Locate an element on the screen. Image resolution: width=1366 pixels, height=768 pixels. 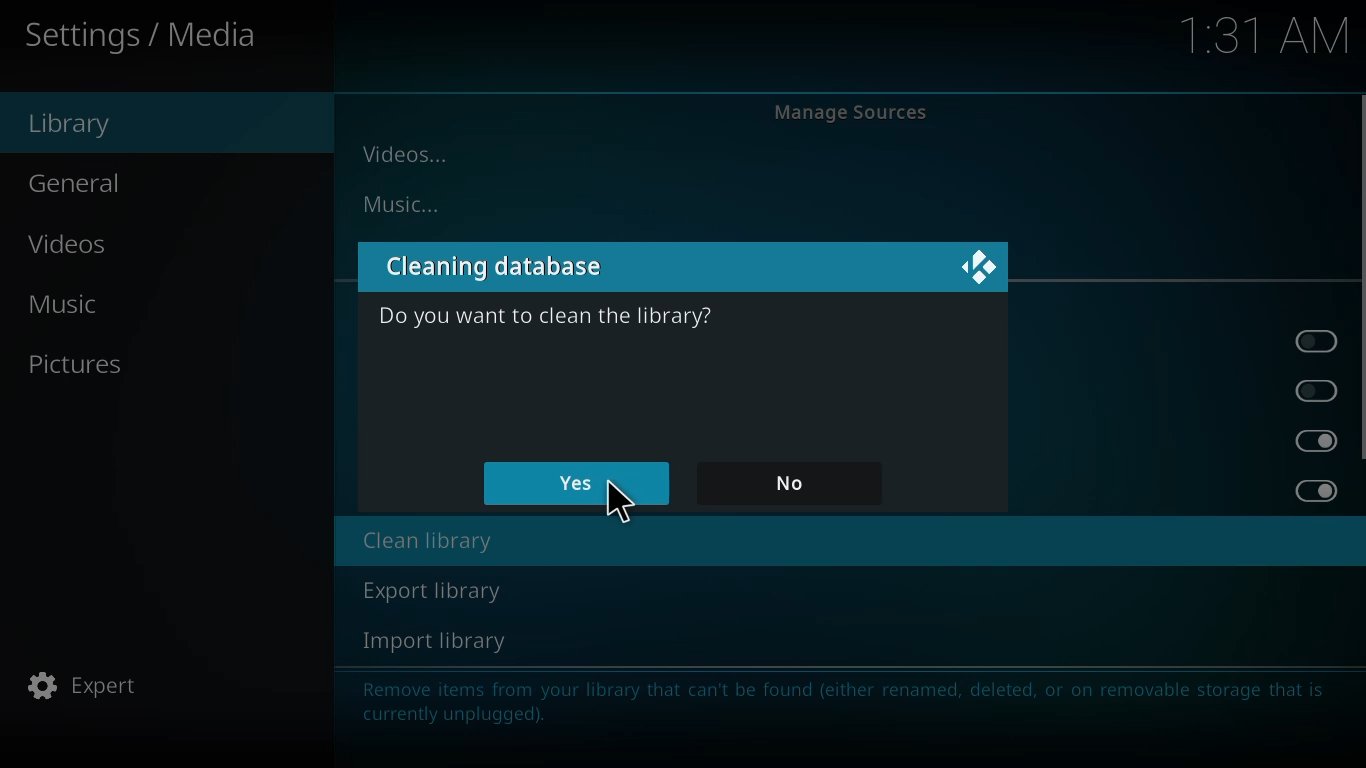
cursor is located at coordinates (619, 504).